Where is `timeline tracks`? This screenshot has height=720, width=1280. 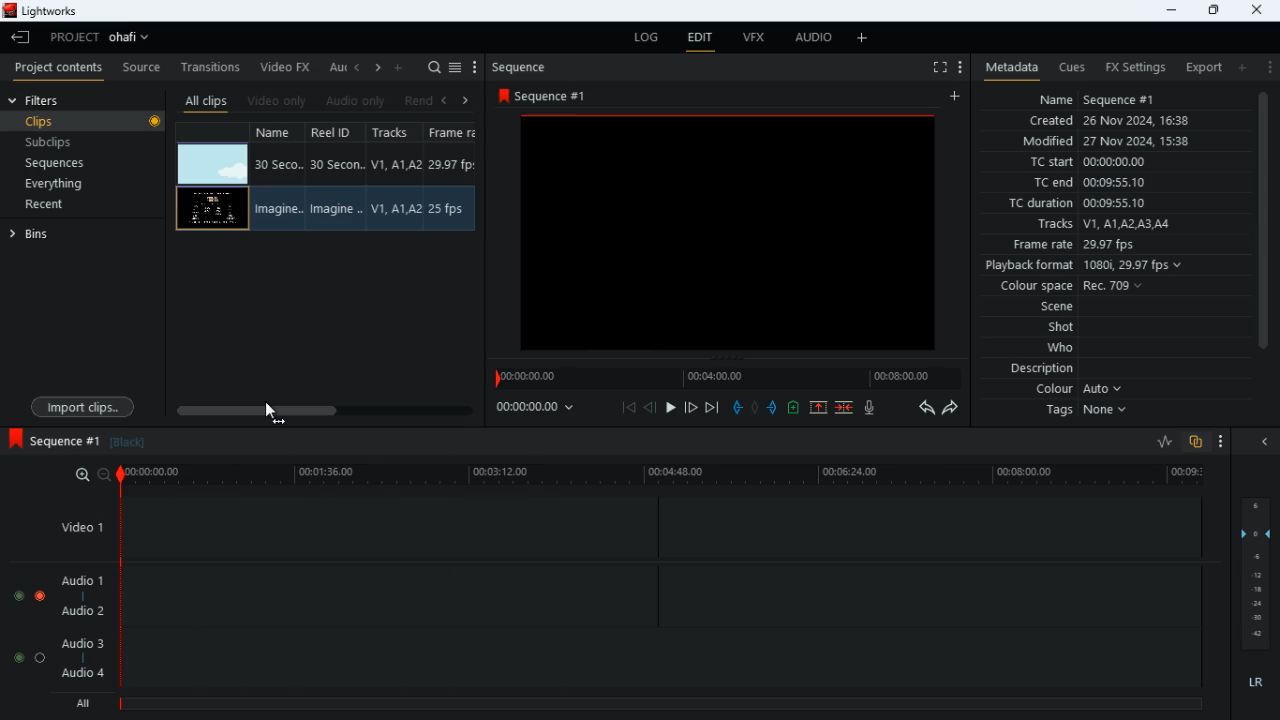
timeline tracks is located at coordinates (662, 526).